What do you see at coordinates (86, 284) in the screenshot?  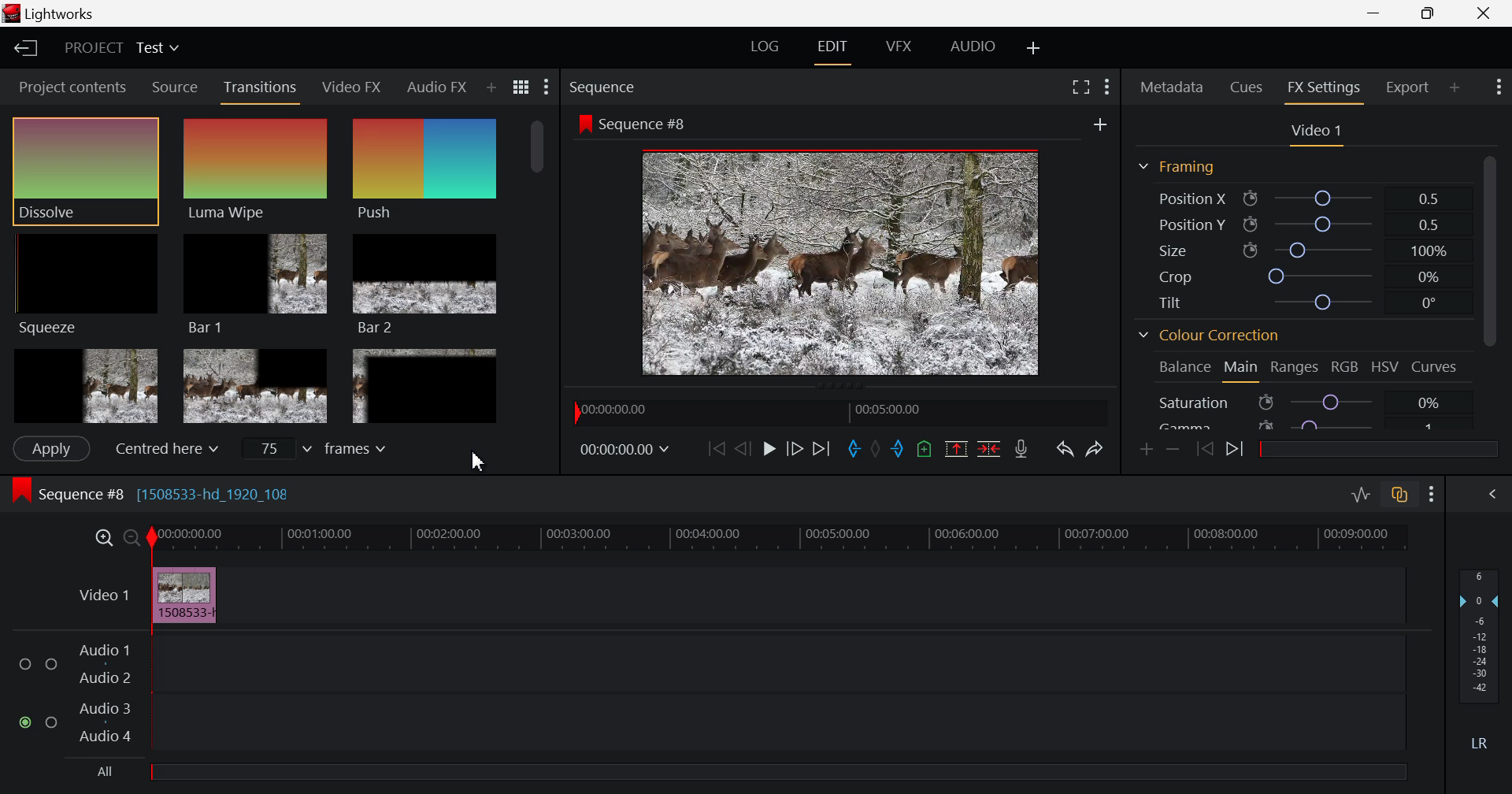 I see `Squeeze` at bounding box center [86, 284].